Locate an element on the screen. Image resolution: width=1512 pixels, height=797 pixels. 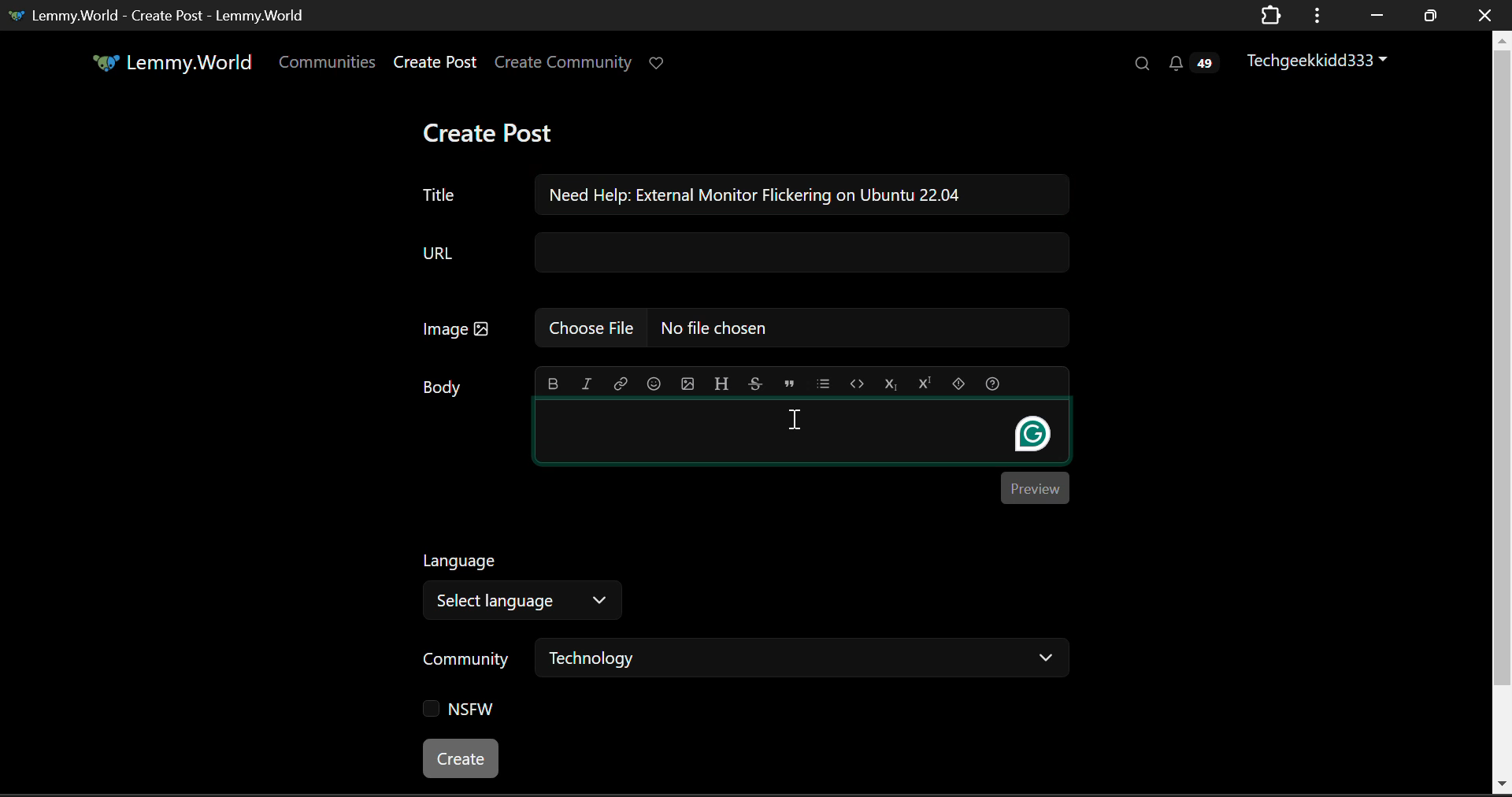
Communities Page Open is located at coordinates (329, 61).